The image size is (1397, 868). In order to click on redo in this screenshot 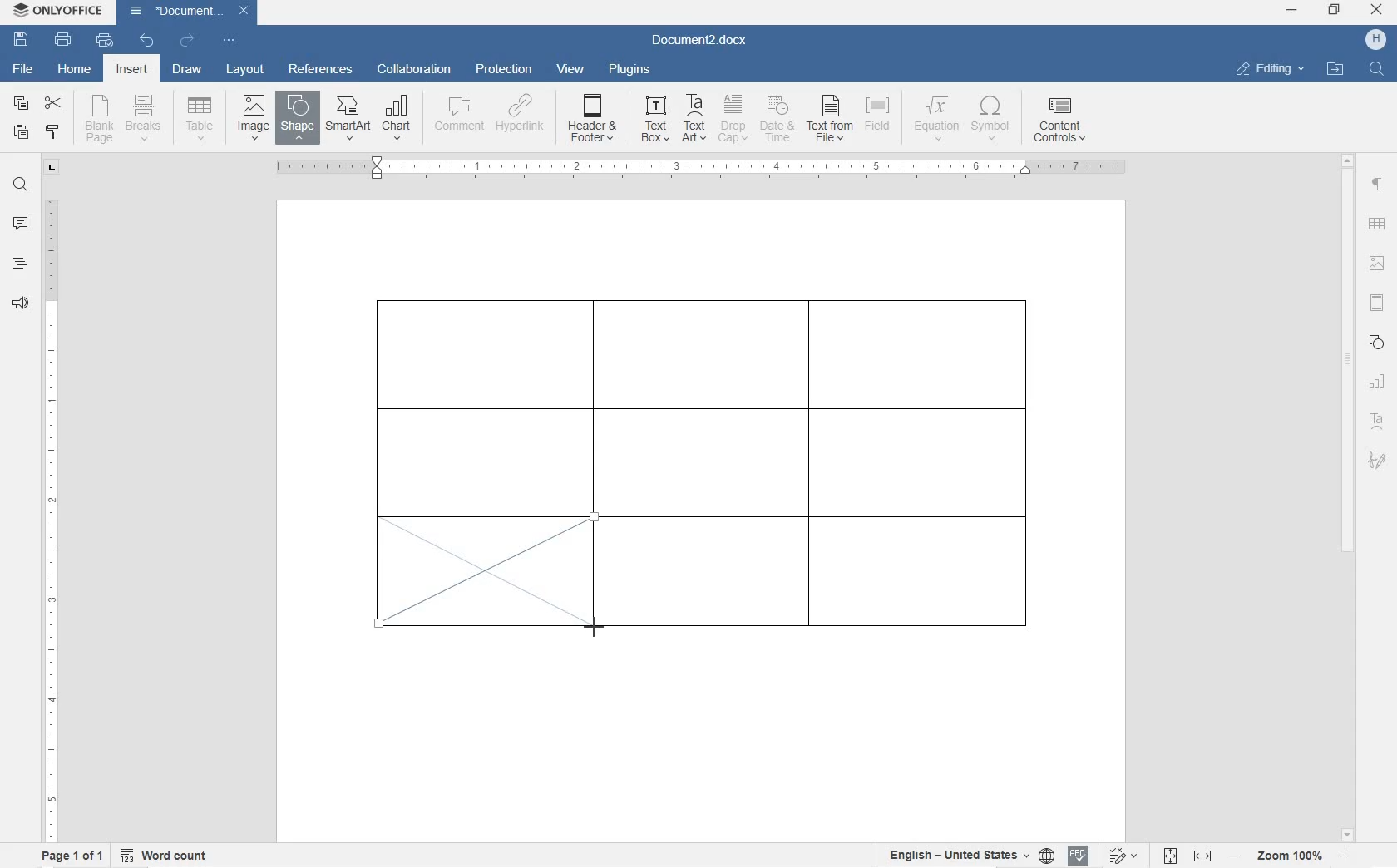, I will do `click(187, 42)`.